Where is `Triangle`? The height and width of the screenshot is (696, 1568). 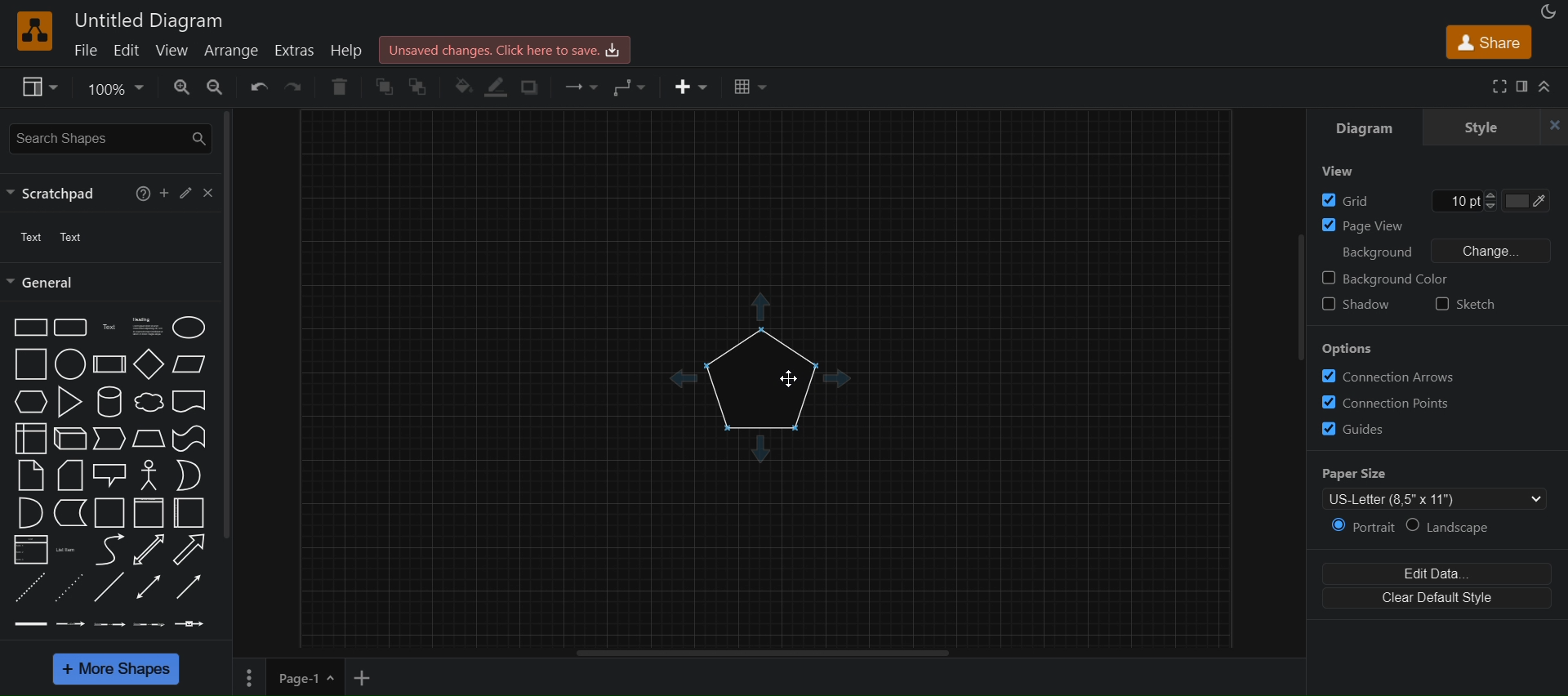
Triangle is located at coordinates (69, 402).